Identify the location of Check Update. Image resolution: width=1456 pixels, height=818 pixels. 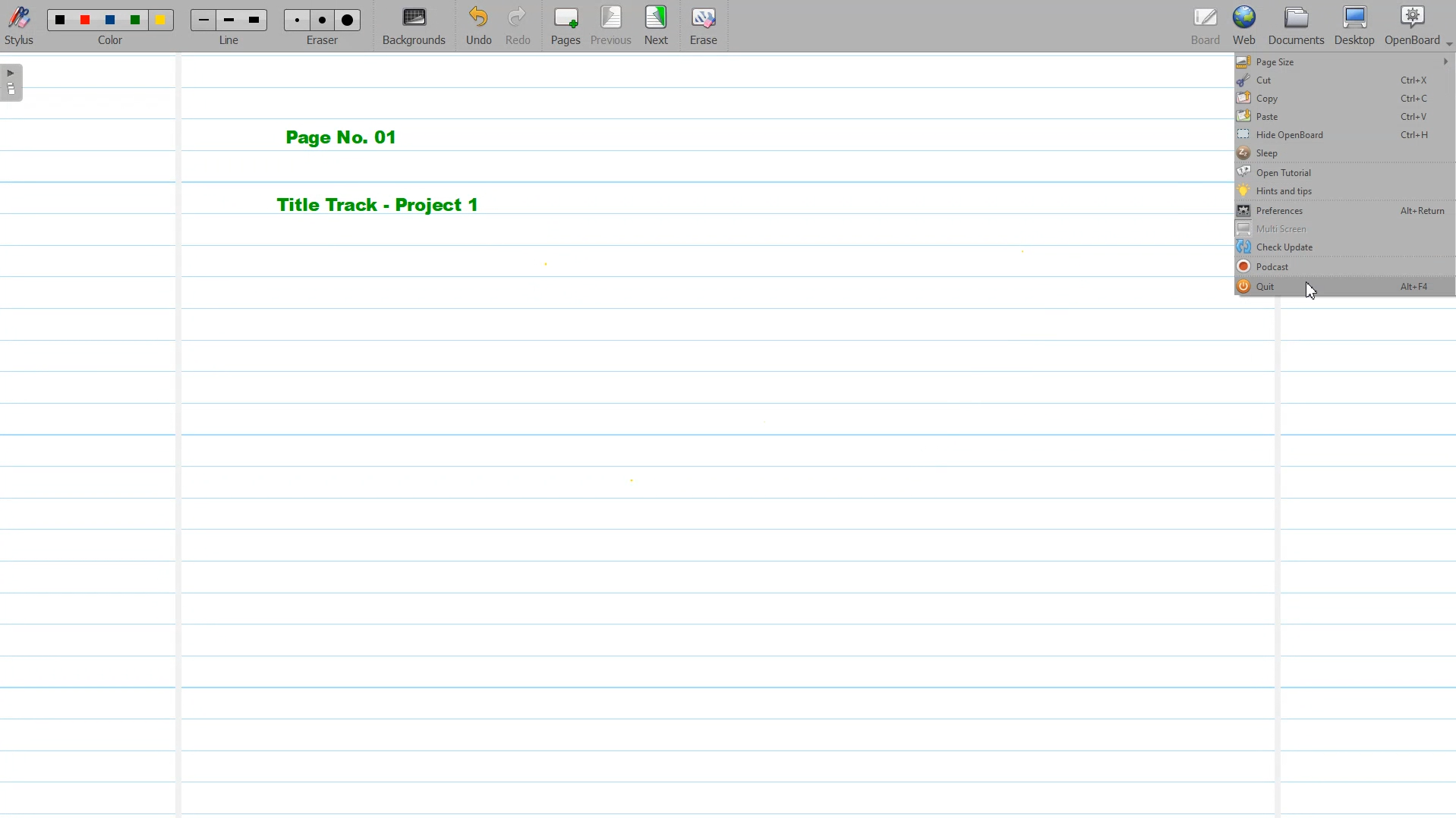
(1345, 247).